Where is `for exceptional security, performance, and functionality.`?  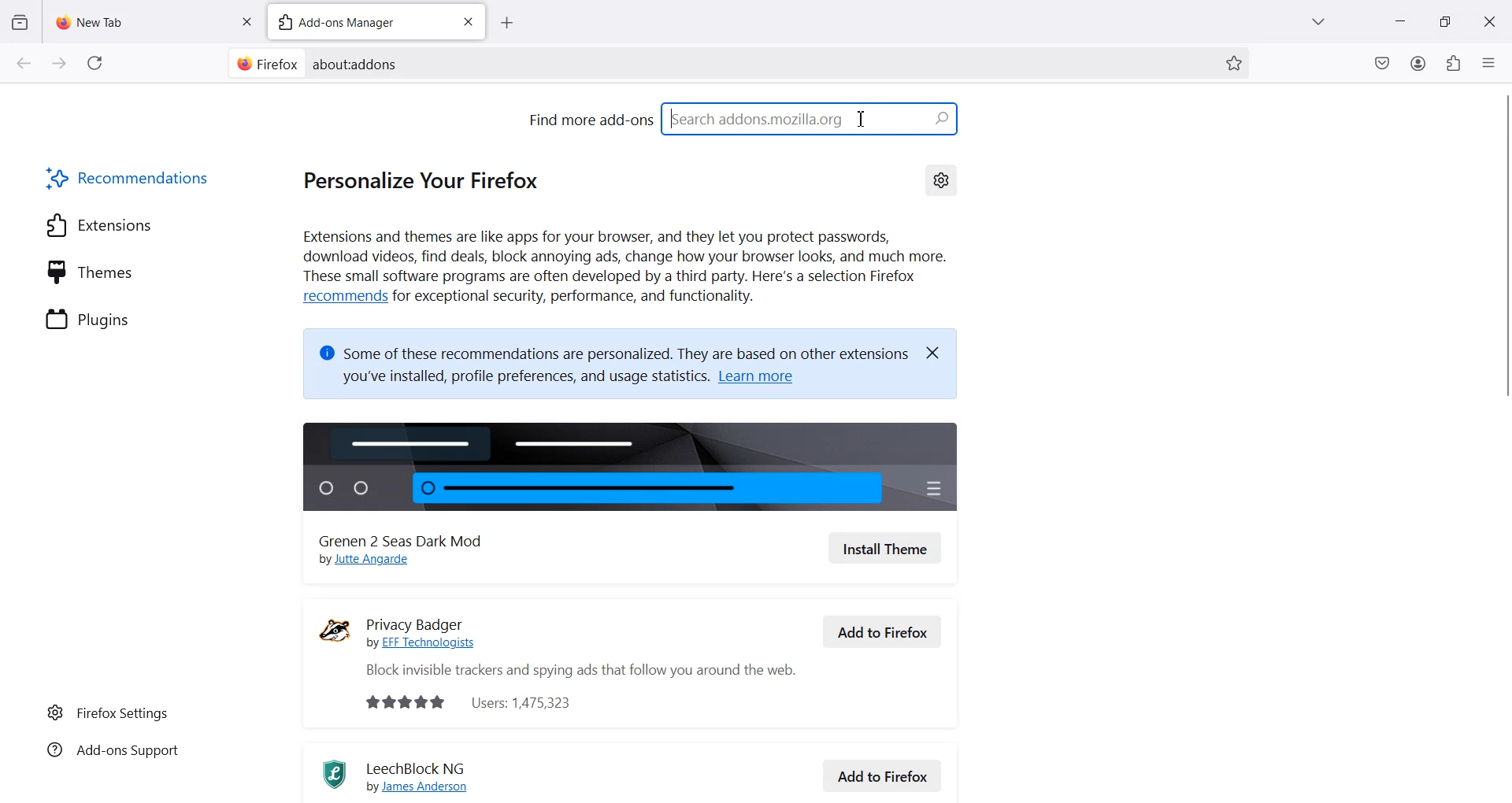 for exceptional security, performance, and functionality. is located at coordinates (585, 299).